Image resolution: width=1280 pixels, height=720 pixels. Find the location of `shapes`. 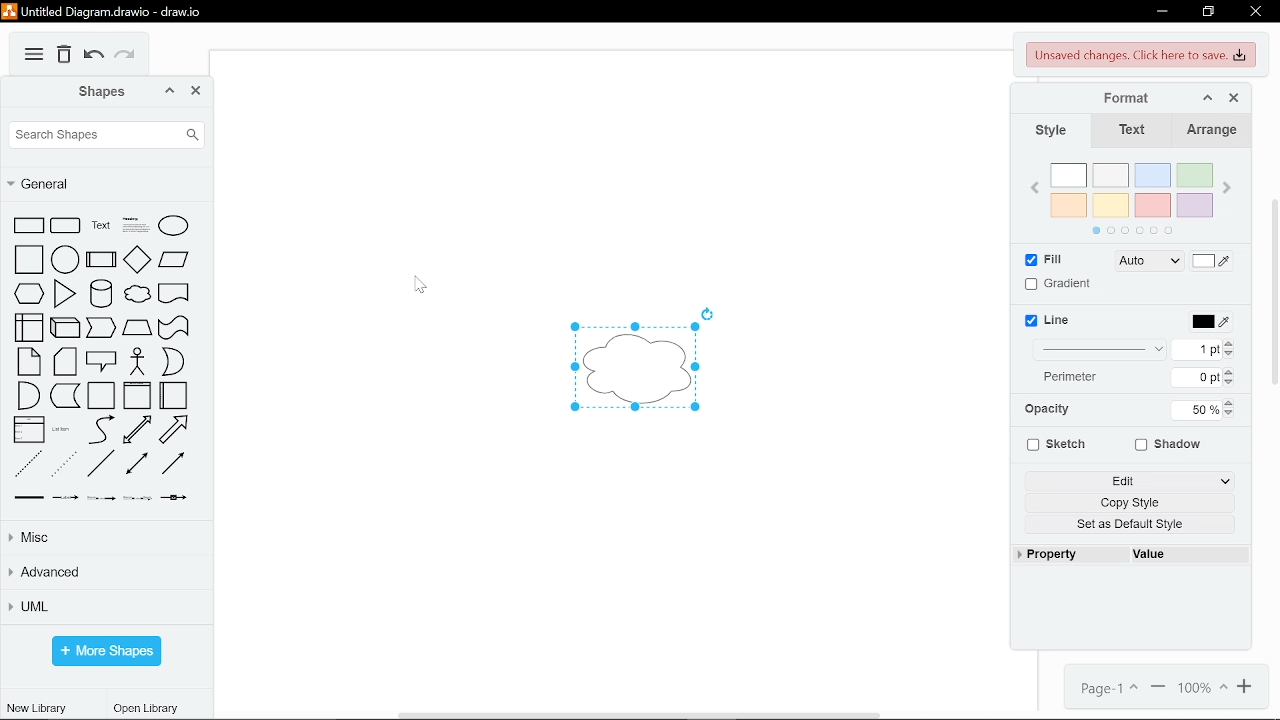

shapes is located at coordinates (82, 92).